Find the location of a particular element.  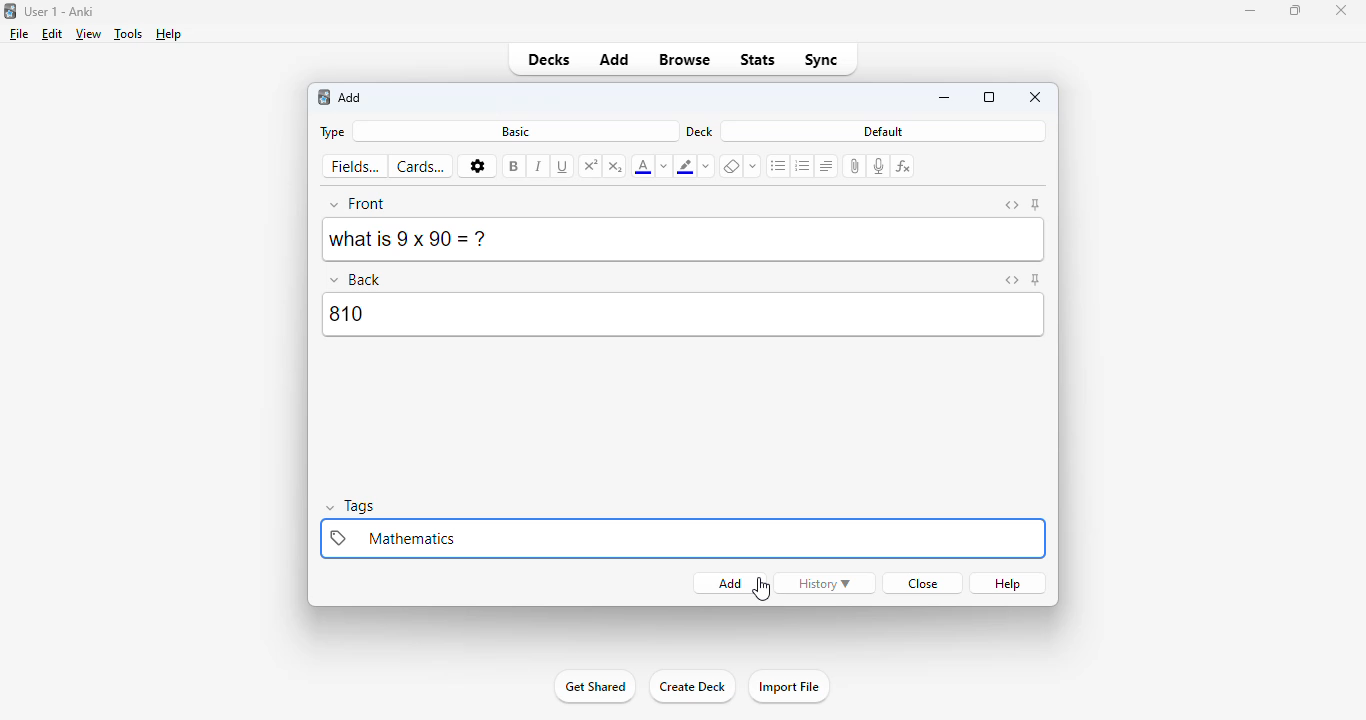

what is 9 x 90 = ? is located at coordinates (412, 239).